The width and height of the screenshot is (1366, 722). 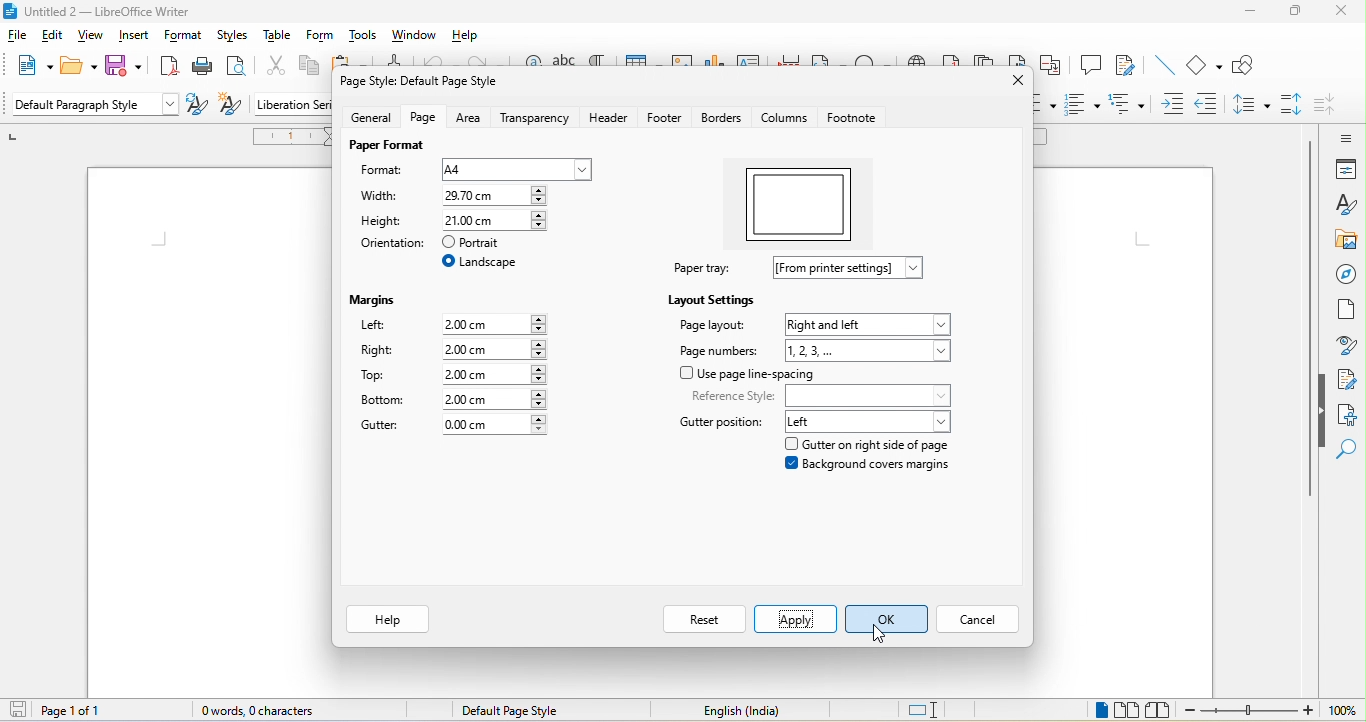 What do you see at coordinates (982, 621) in the screenshot?
I see `cancel` at bounding box center [982, 621].